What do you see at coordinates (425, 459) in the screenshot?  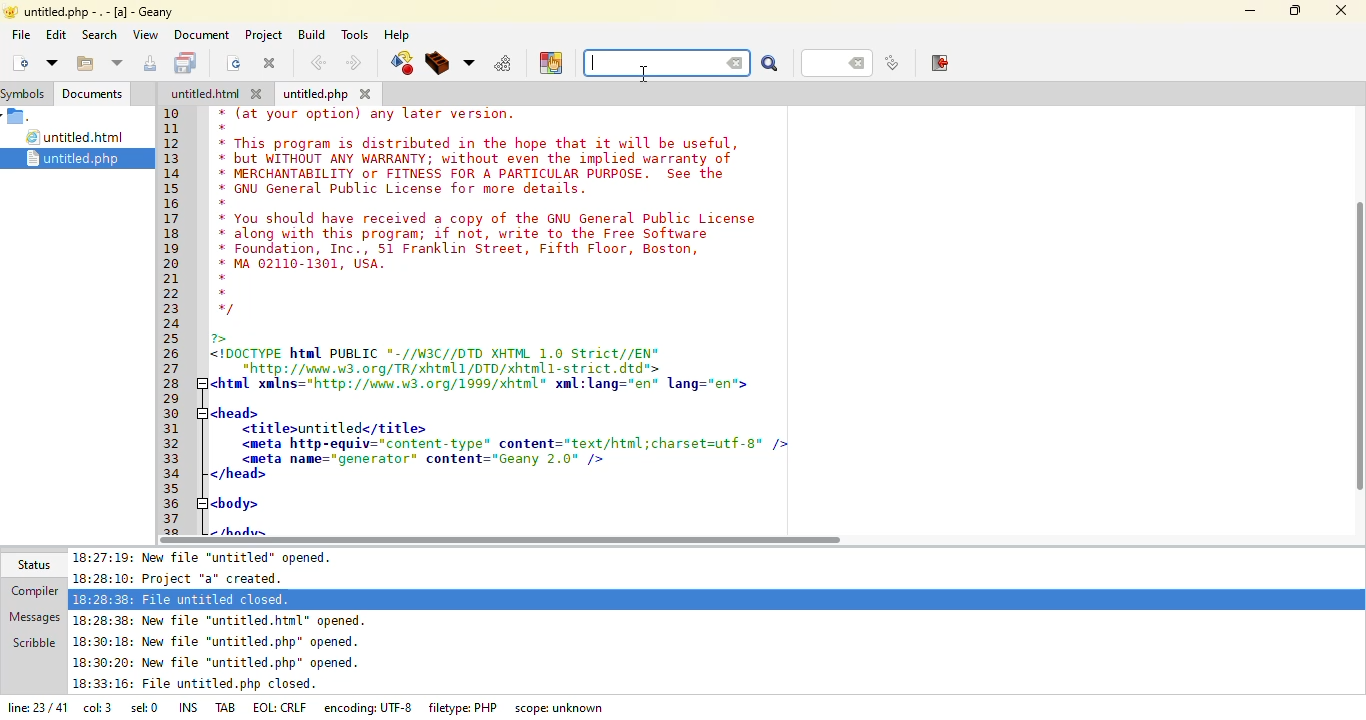 I see `<meta name="generator" content="Geany 2.0" />` at bounding box center [425, 459].